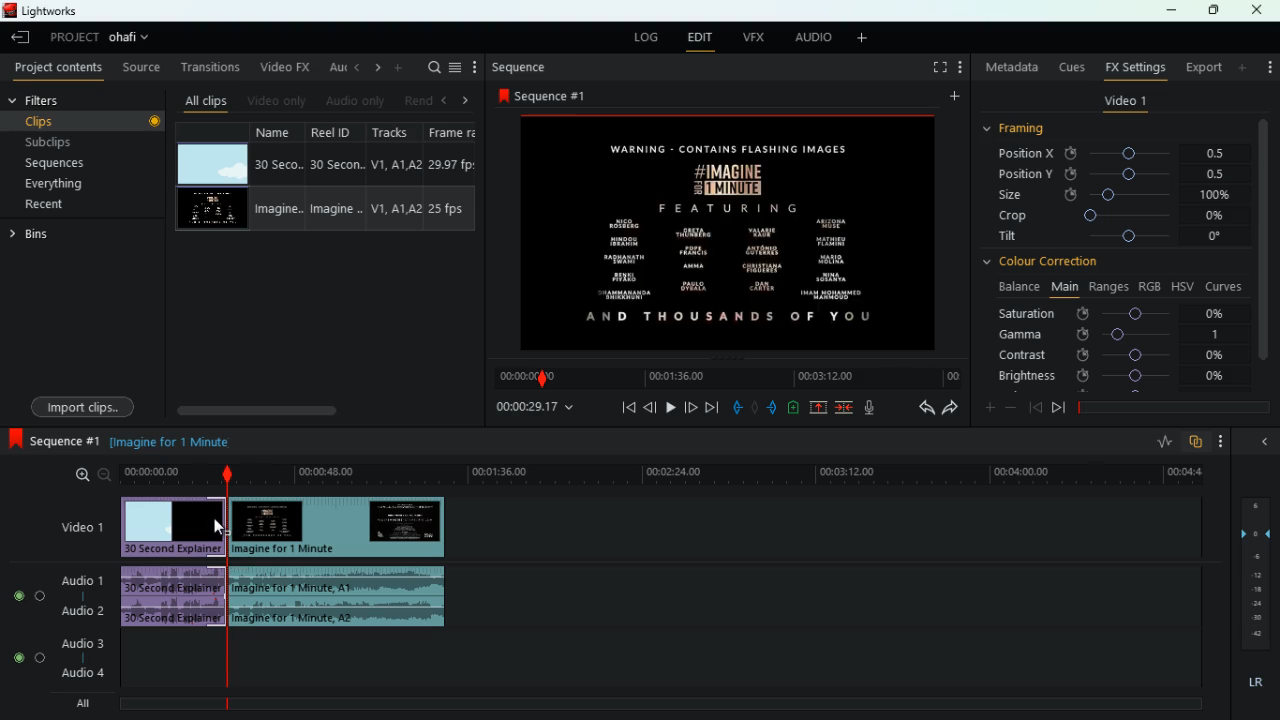  What do you see at coordinates (757, 37) in the screenshot?
I see `vfx` at bounding box center [757, 37].